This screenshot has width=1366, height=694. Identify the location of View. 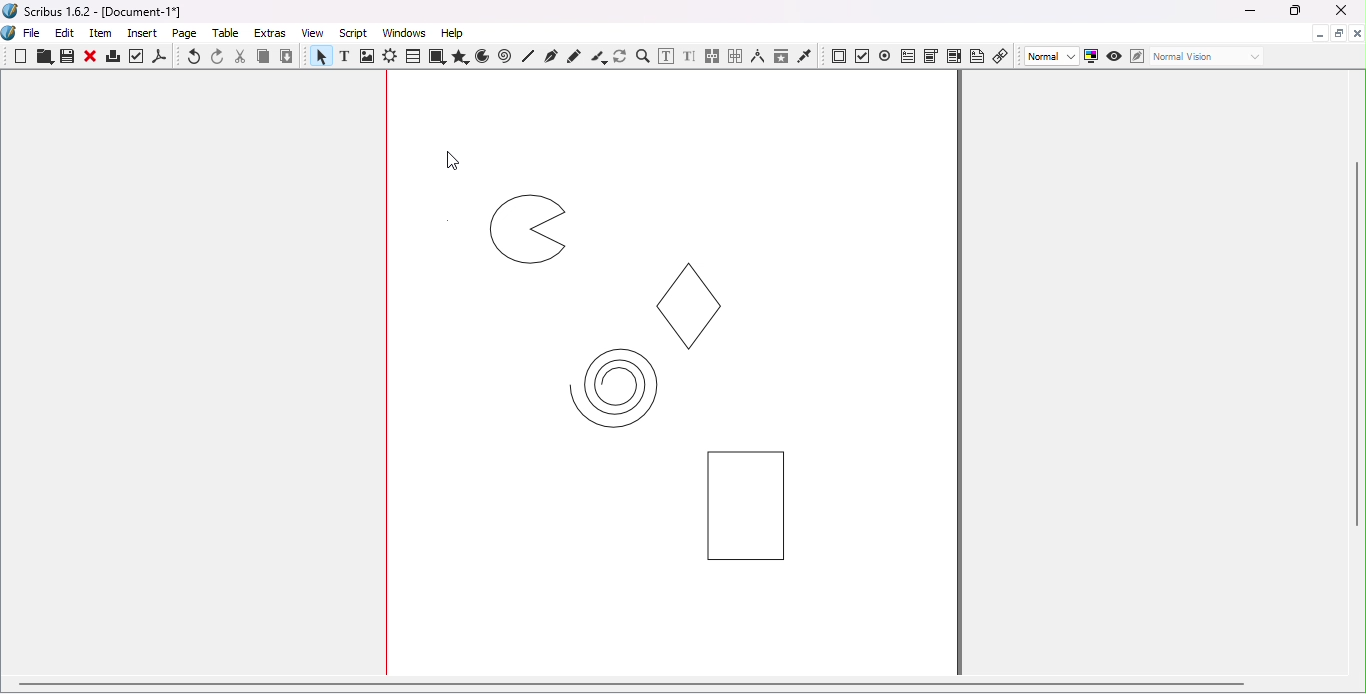
(317, 32).